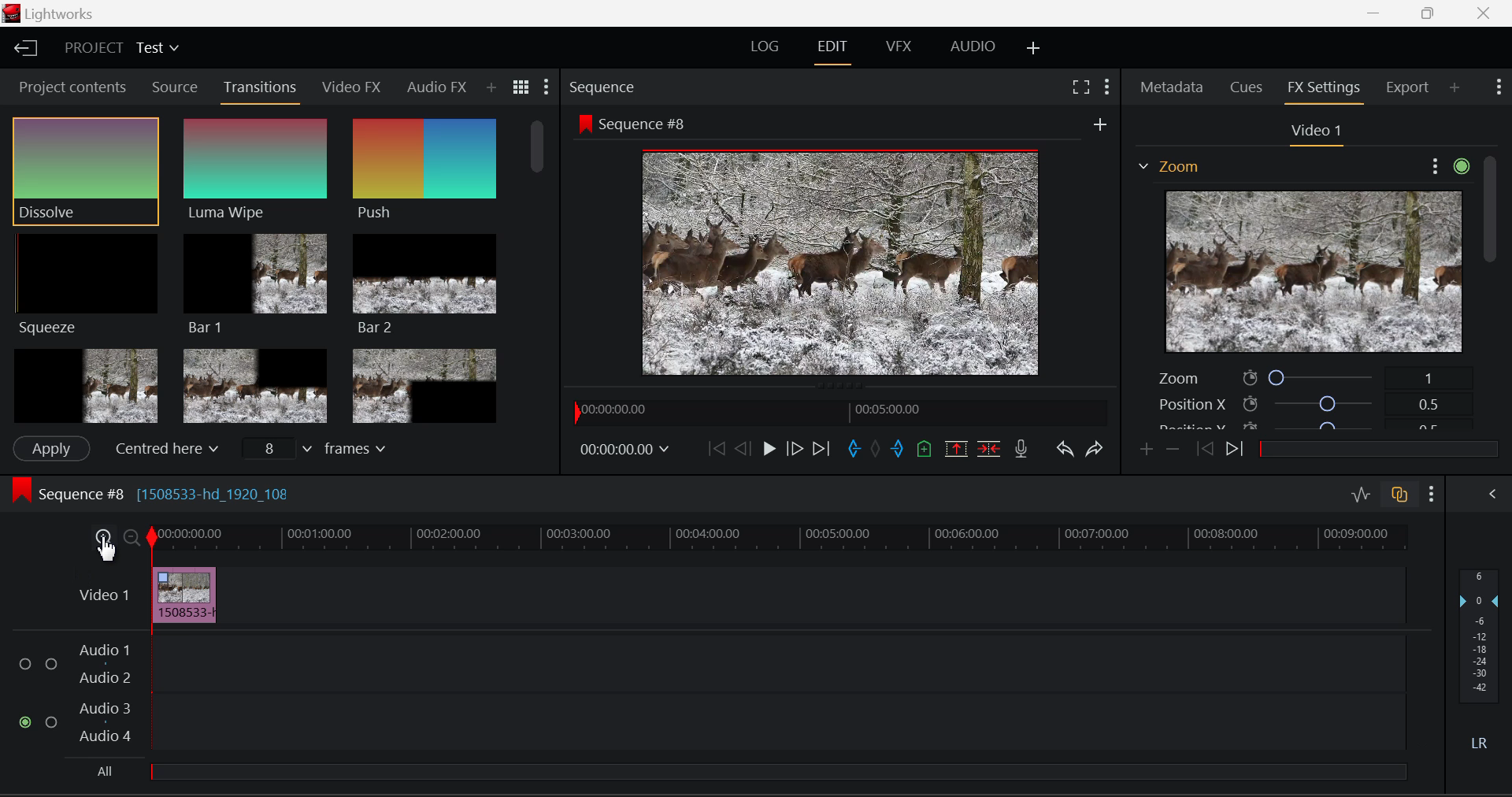 The height and width of the screenshot is (797, 1512). What do you see at coordinates (989, 450) in the screenshot?
I see `Delete/Cut` at bounding box center [989, 450].